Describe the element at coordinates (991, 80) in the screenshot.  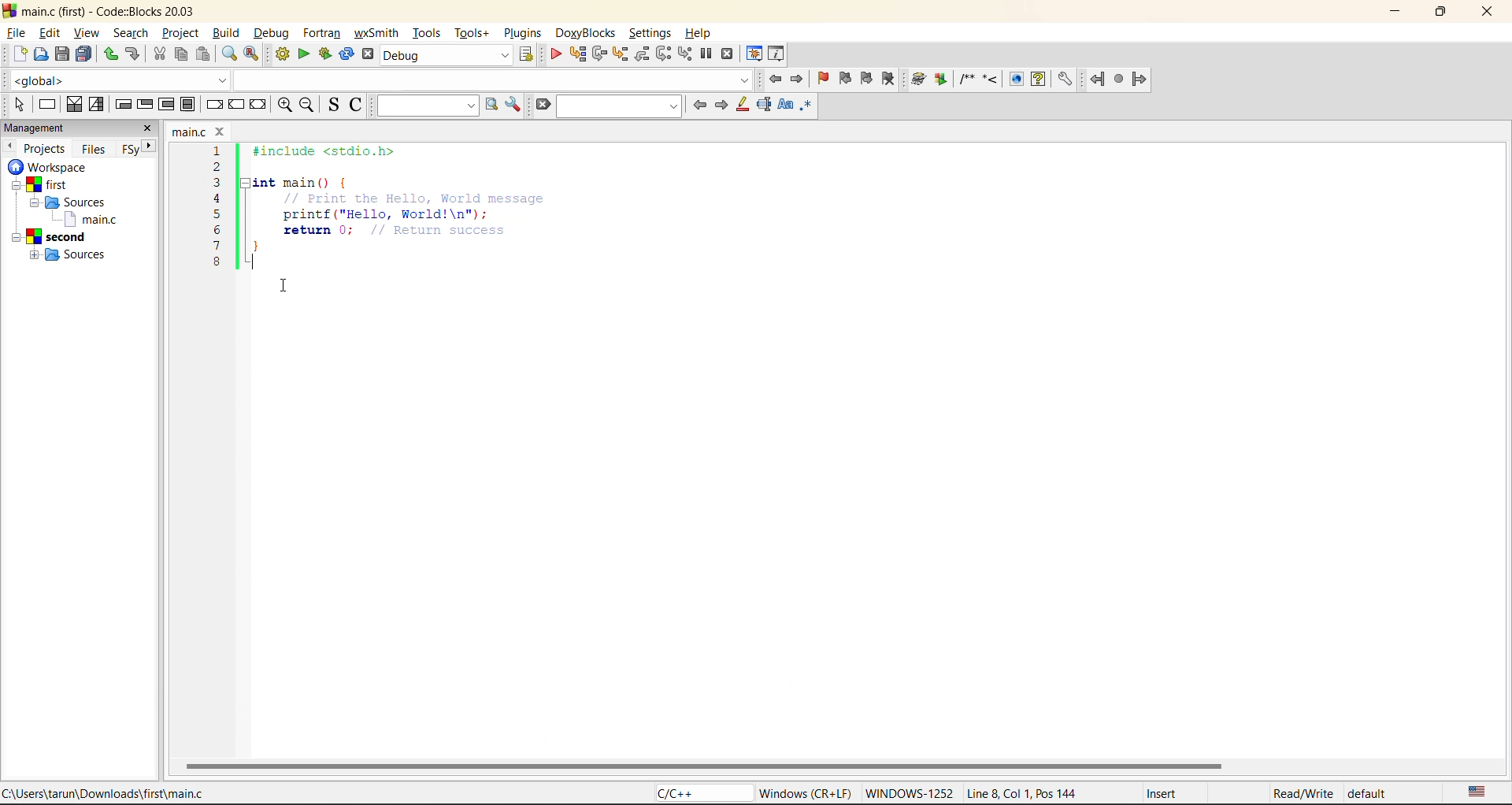
I see `insert line` at that location.